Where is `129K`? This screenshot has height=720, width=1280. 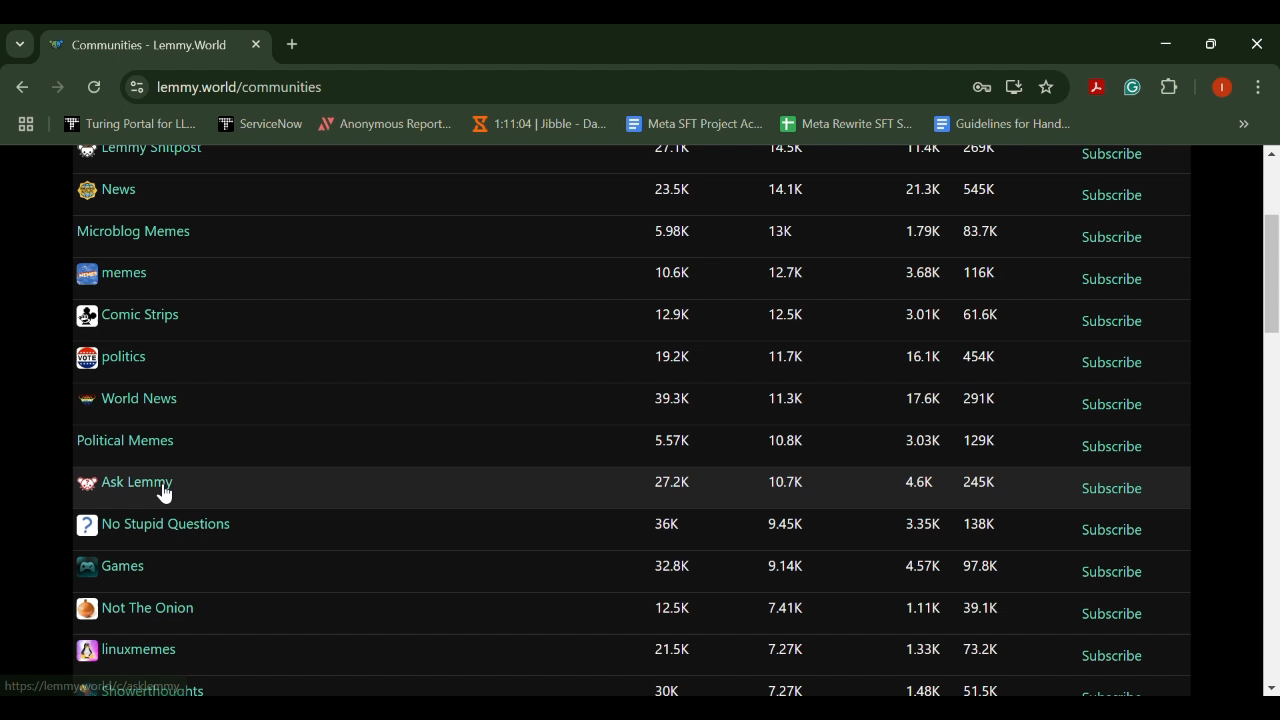
129K is located at coordinates (979, 439).